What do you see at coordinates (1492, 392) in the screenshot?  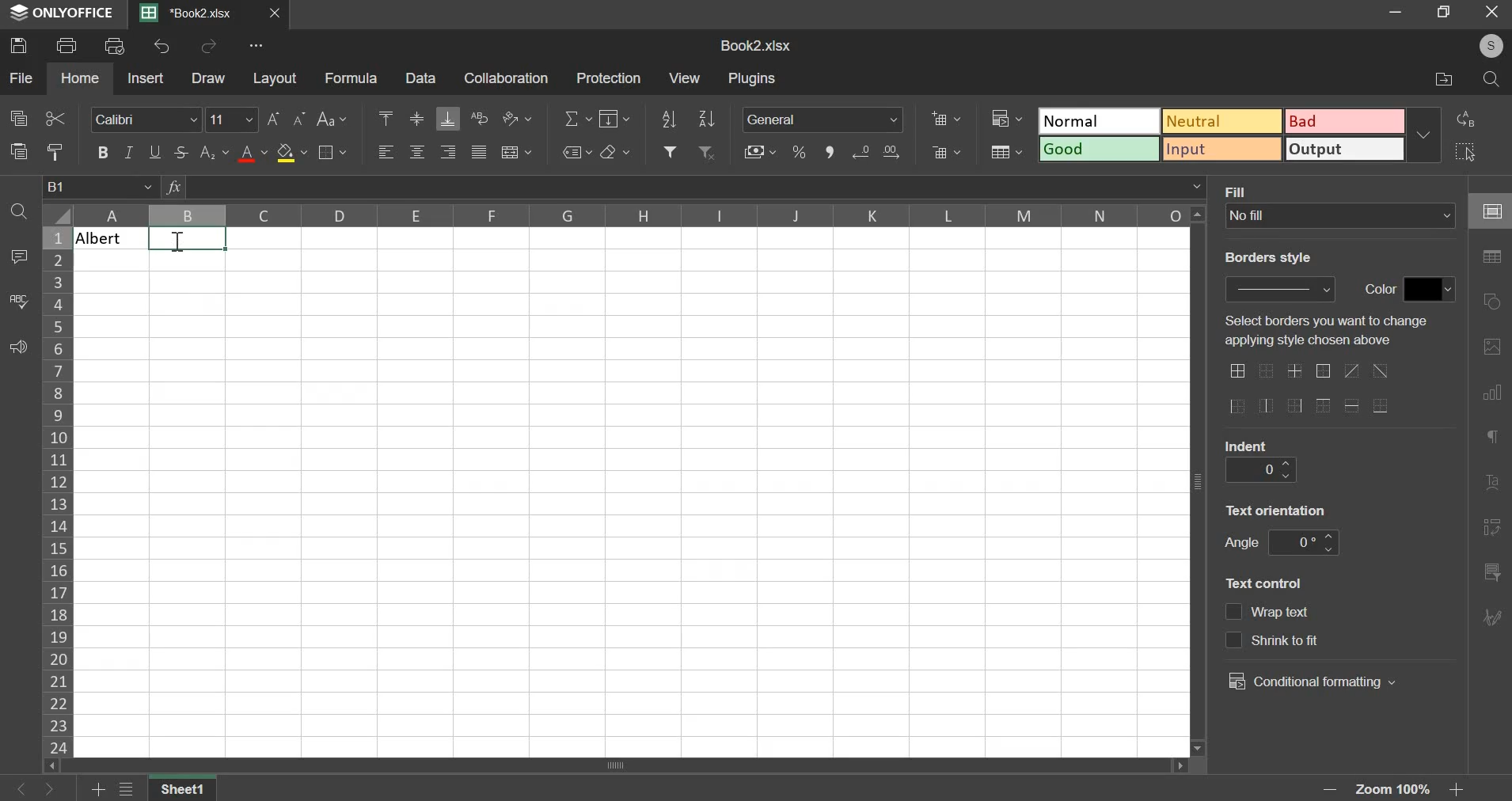 I see `chart settings` at bounding box center [1492, 392].